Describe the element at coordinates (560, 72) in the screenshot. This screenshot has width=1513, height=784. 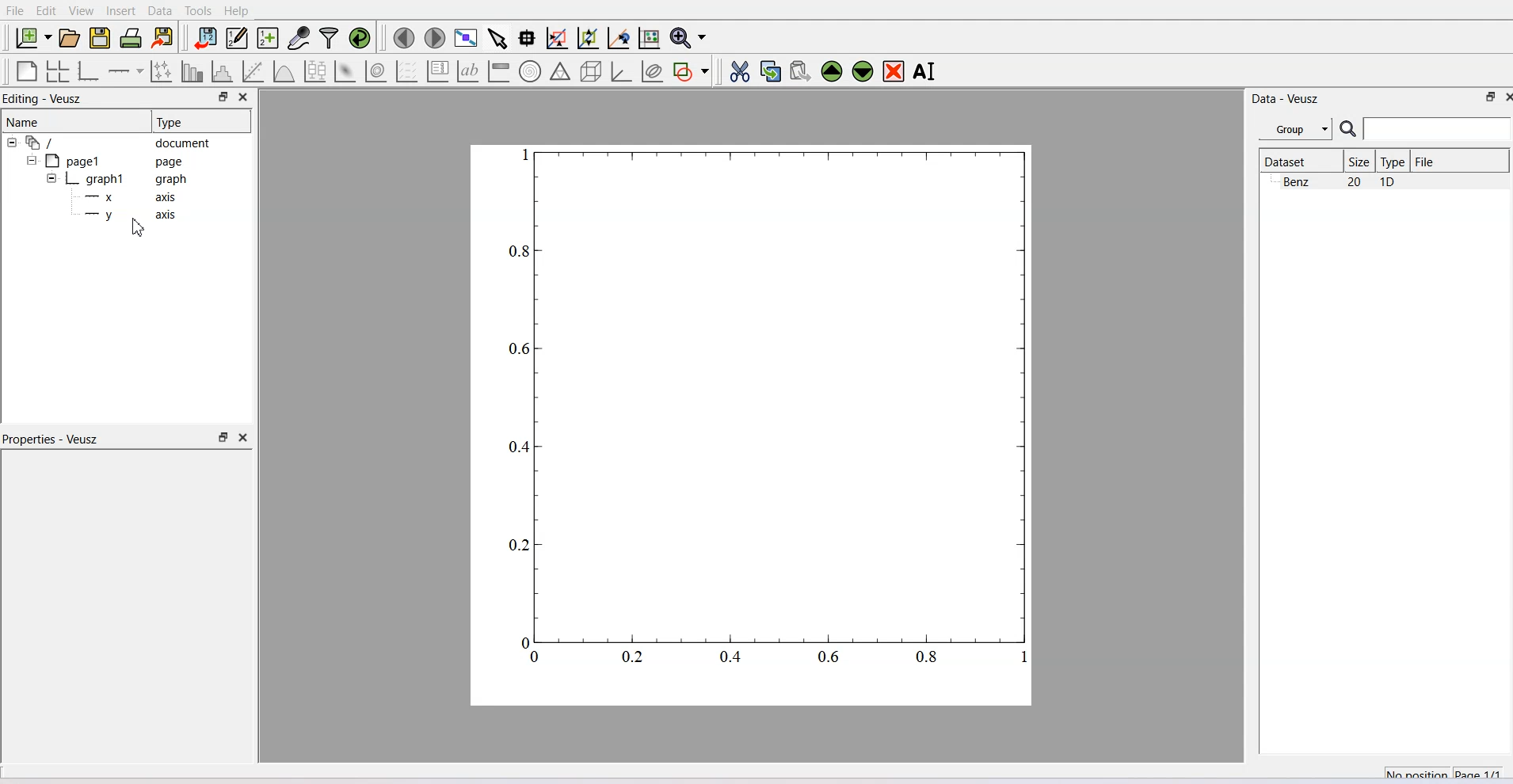
I see `Ternary Graph` at that location.